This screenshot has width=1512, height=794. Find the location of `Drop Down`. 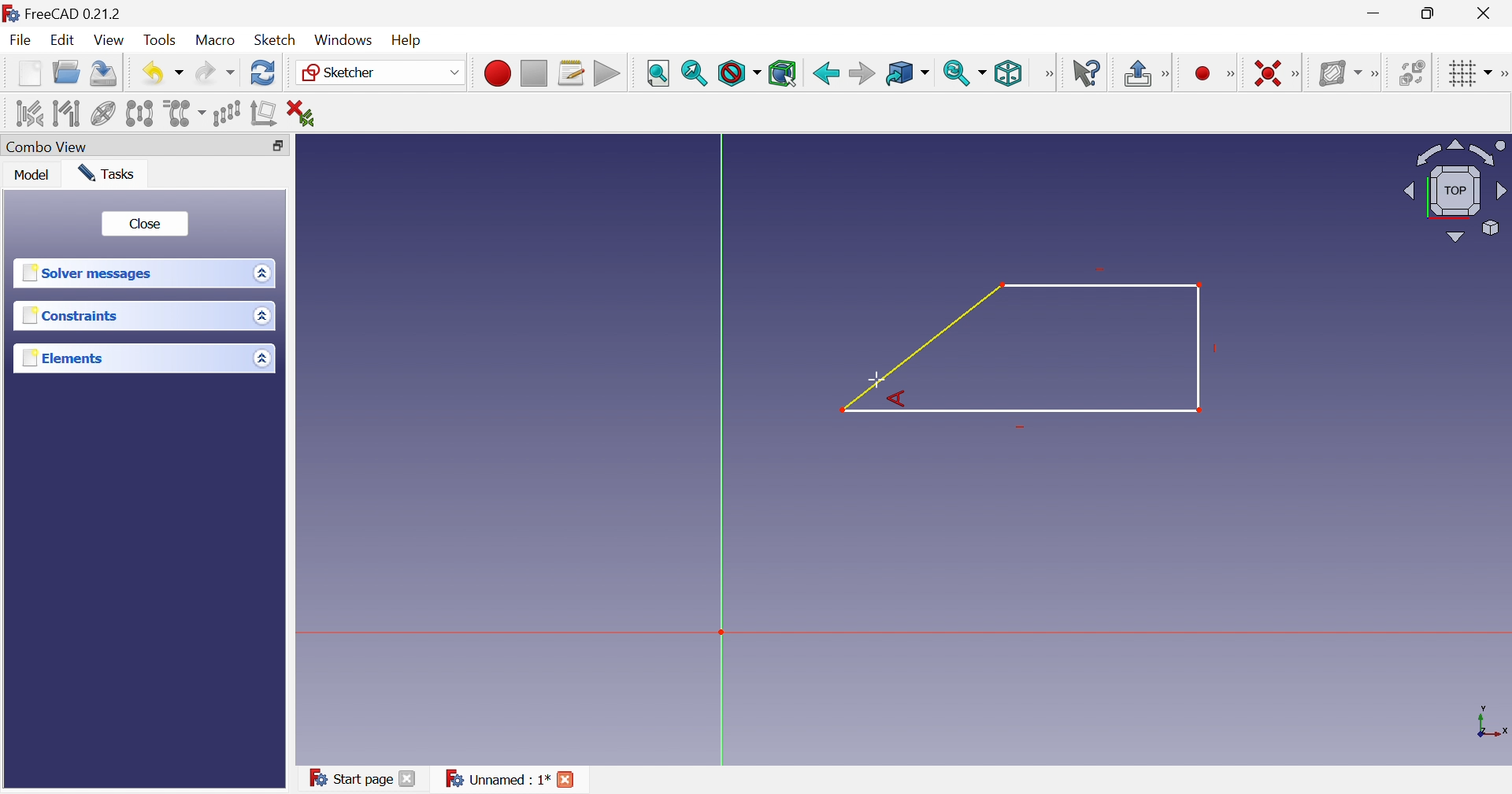

Drop Down is located at coordinates (985, 72).